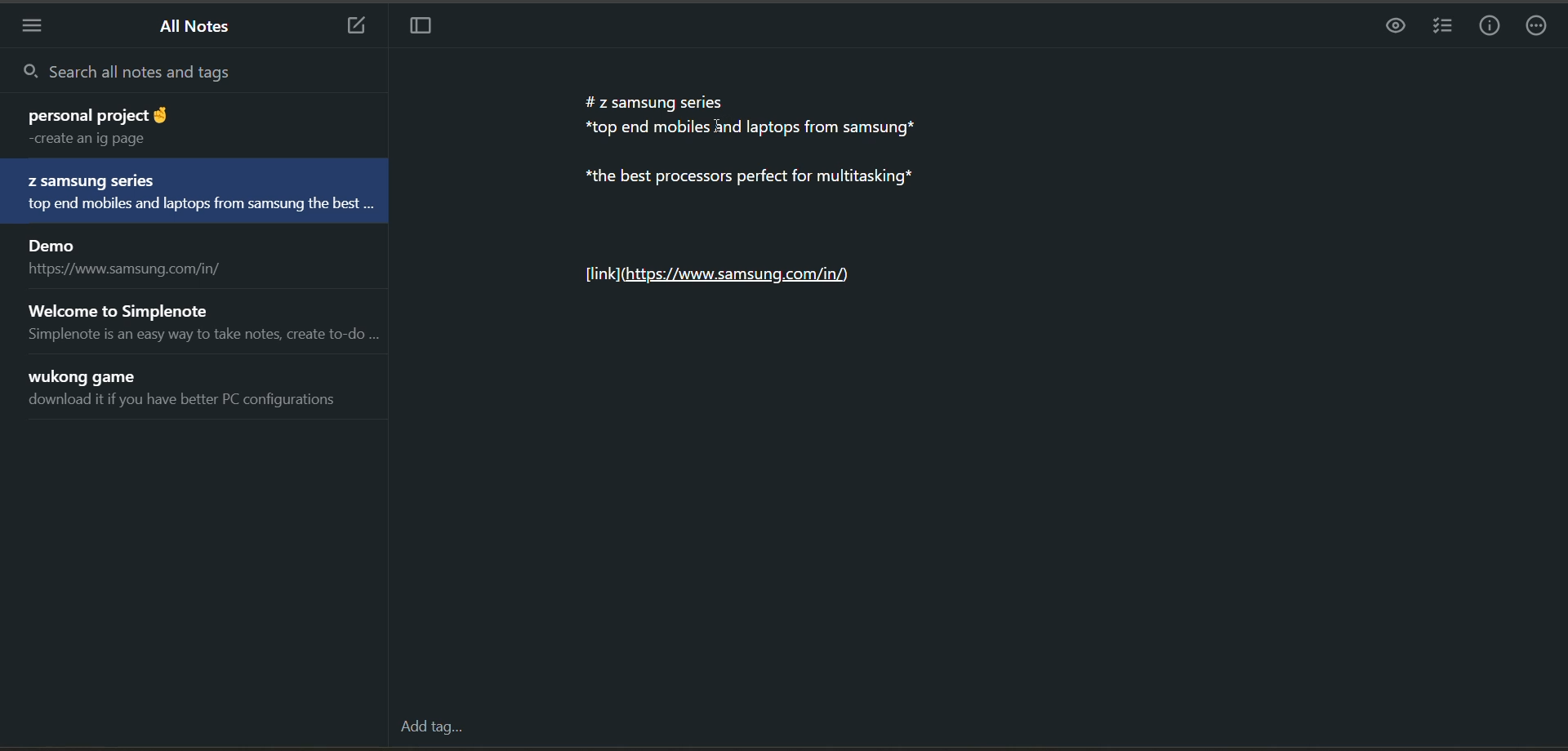 The height and width of the screenshot is (751, 1568). What do you see at coordinates (431, 727) in the screenshot?
I see `add tag` at bounding box center [431, 727].